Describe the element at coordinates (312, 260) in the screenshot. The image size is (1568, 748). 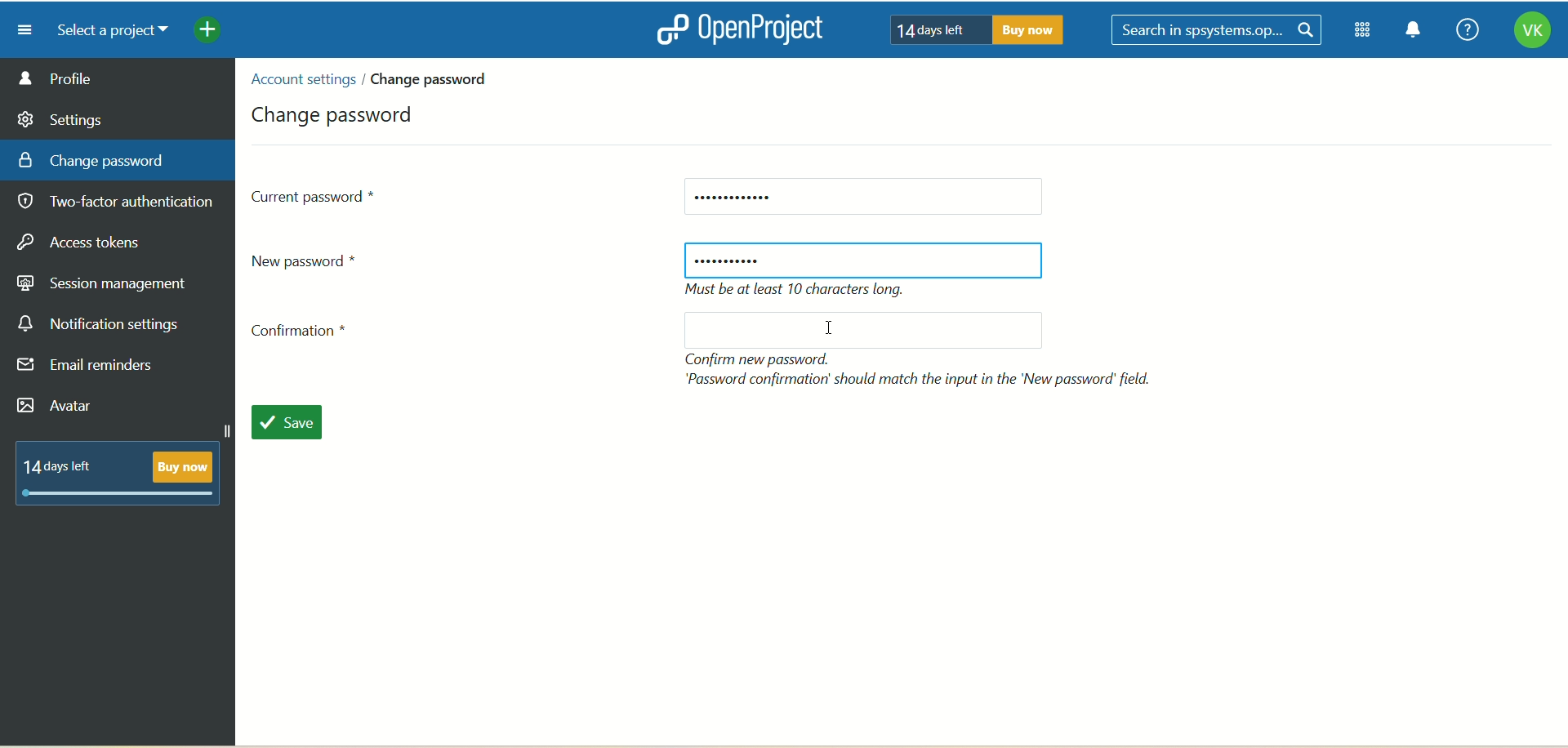
I see `new password` at that location.